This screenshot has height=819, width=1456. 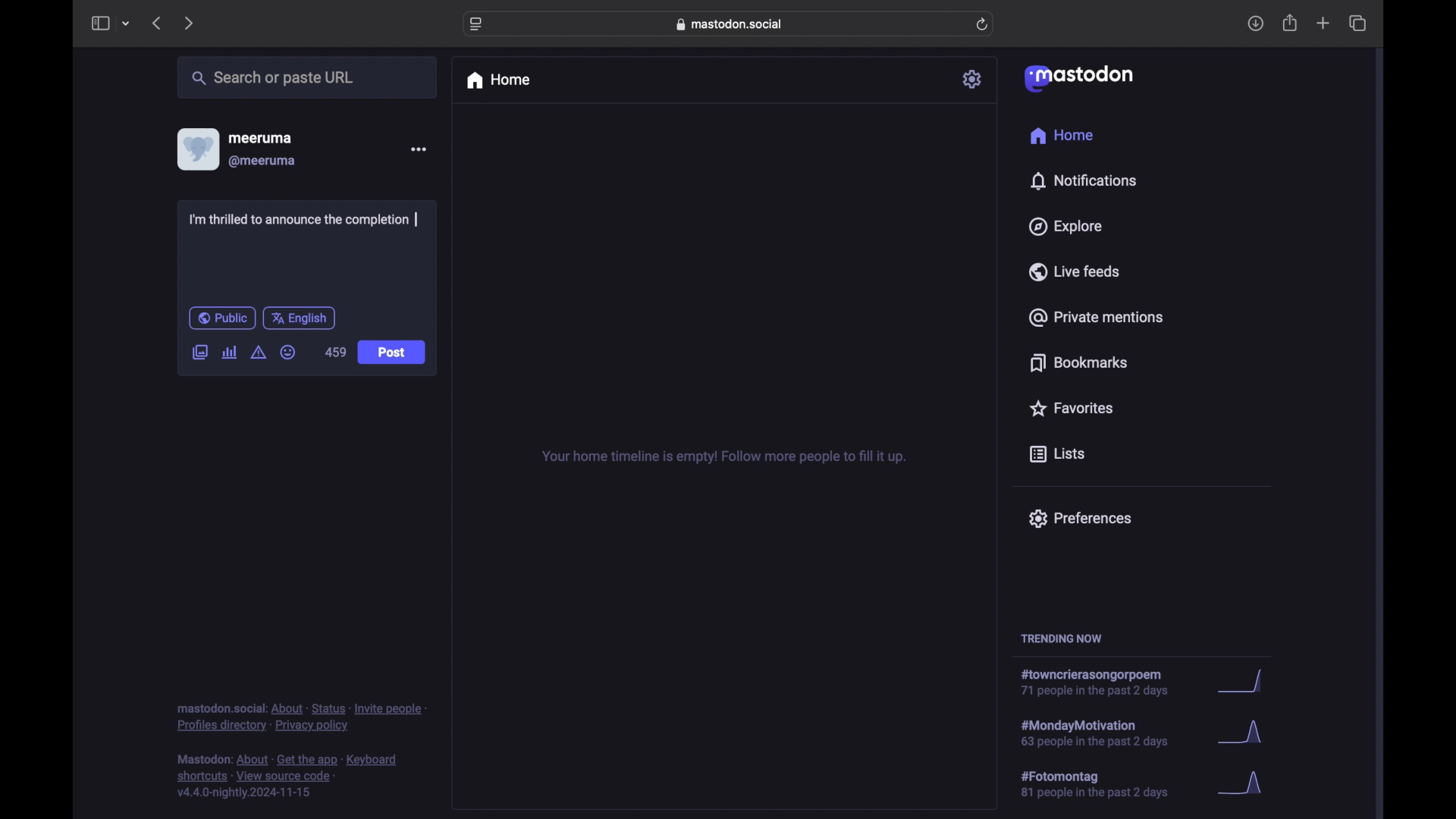 What do you see at coordinates (156, 23) in the screenshot?
I see `previous` at bounding box center [156, 23].